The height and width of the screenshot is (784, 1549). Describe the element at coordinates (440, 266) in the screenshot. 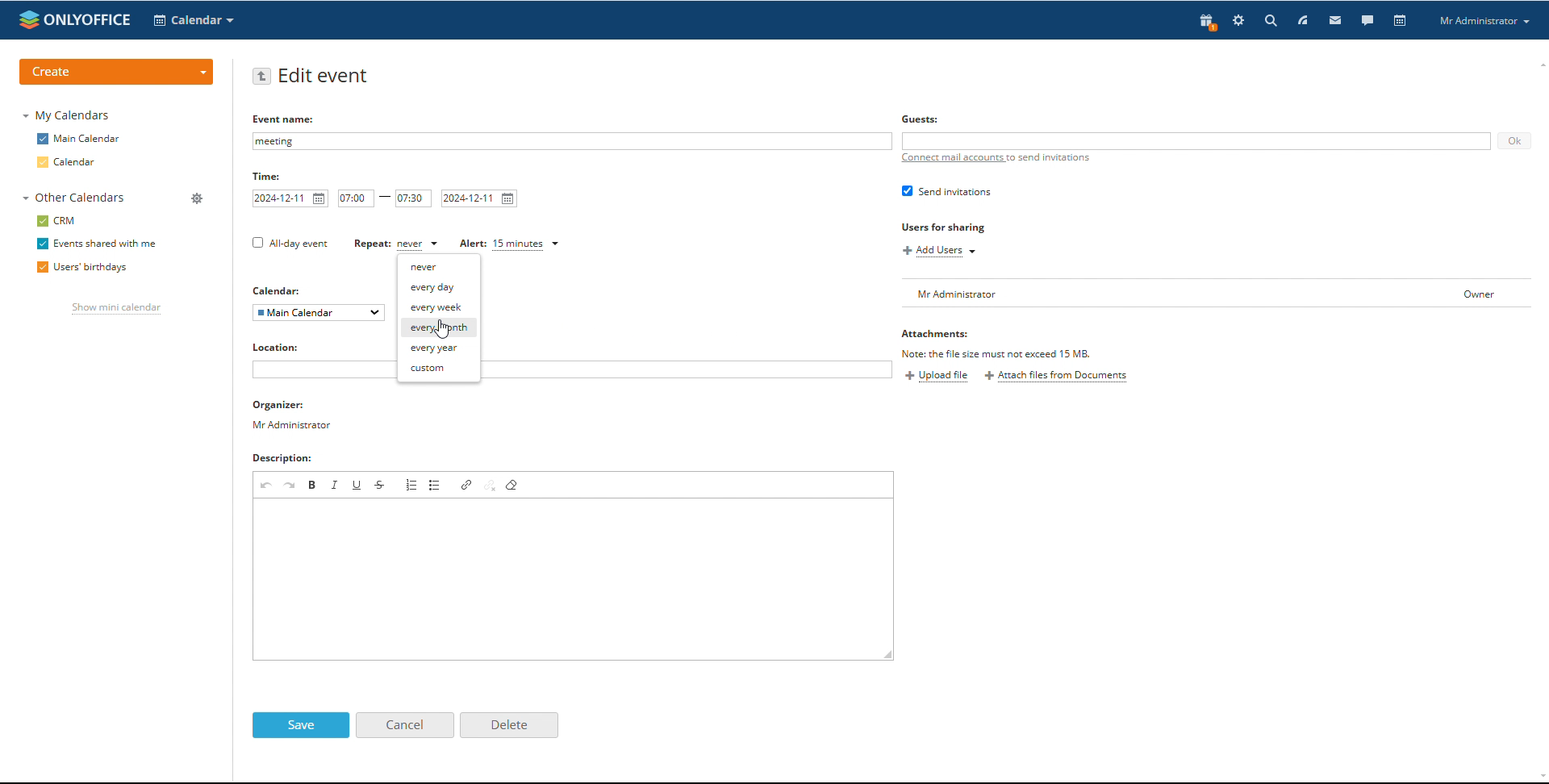

I see `never` at that location.